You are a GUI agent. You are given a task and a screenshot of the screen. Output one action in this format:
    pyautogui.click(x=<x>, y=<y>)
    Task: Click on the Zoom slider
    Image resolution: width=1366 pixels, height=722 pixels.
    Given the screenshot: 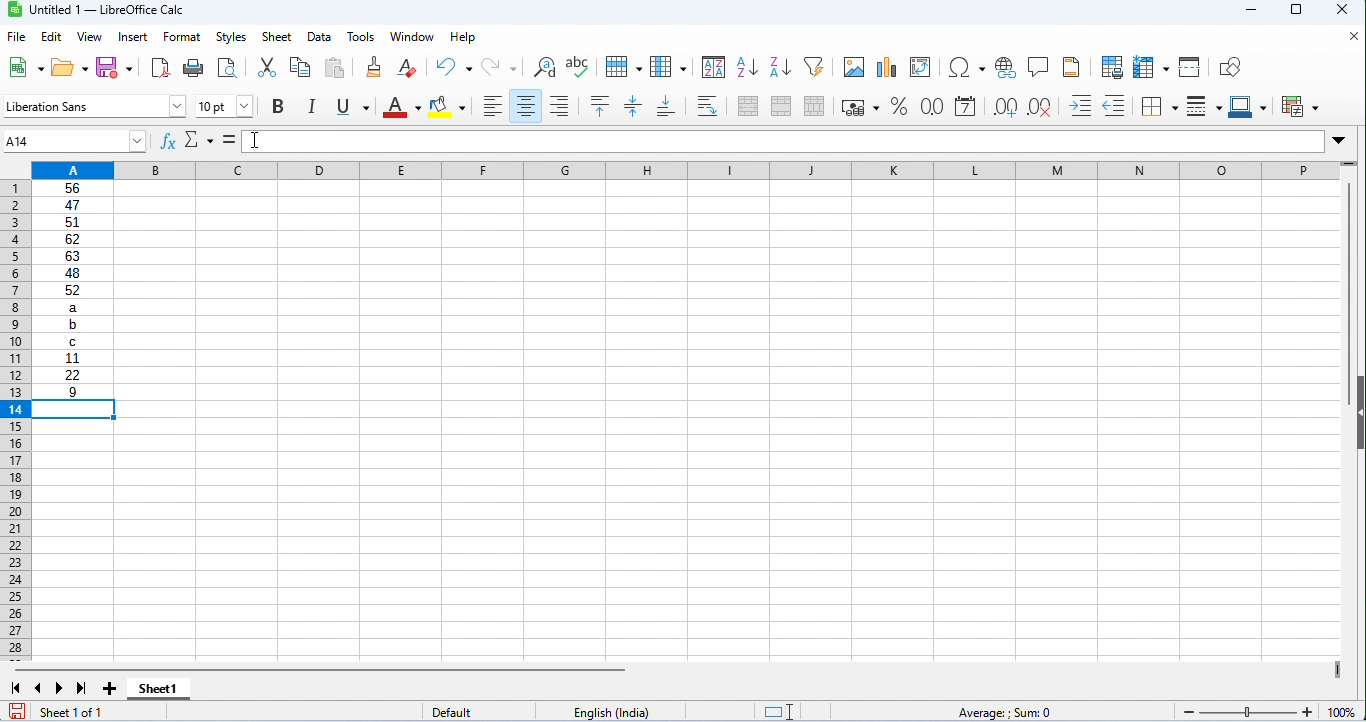 What is the action you would take?
    pyautogui.click(x=1248, y=712)
    